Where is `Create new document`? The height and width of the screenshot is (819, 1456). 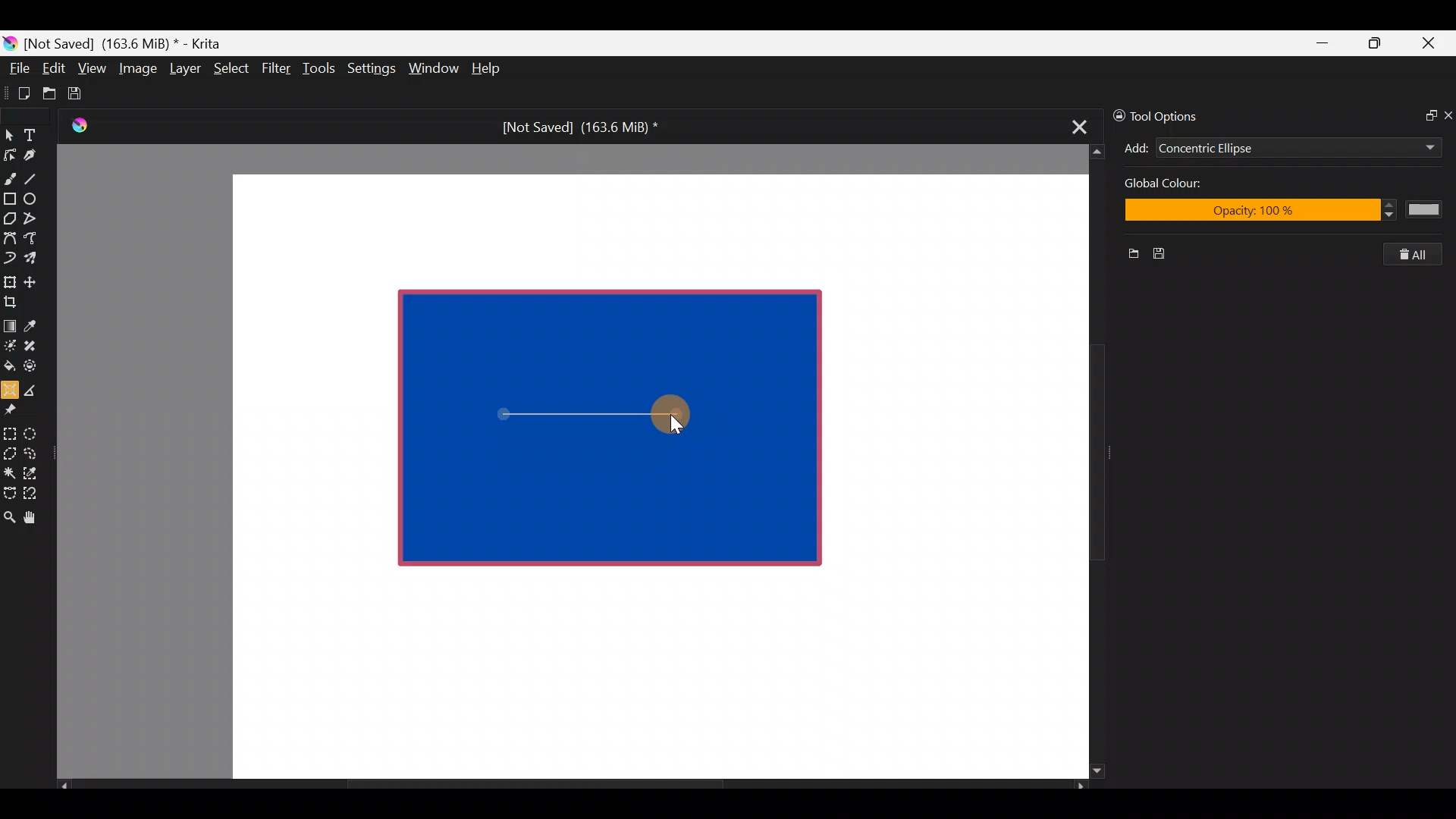 Create new document is located at coordinates (19, 93).